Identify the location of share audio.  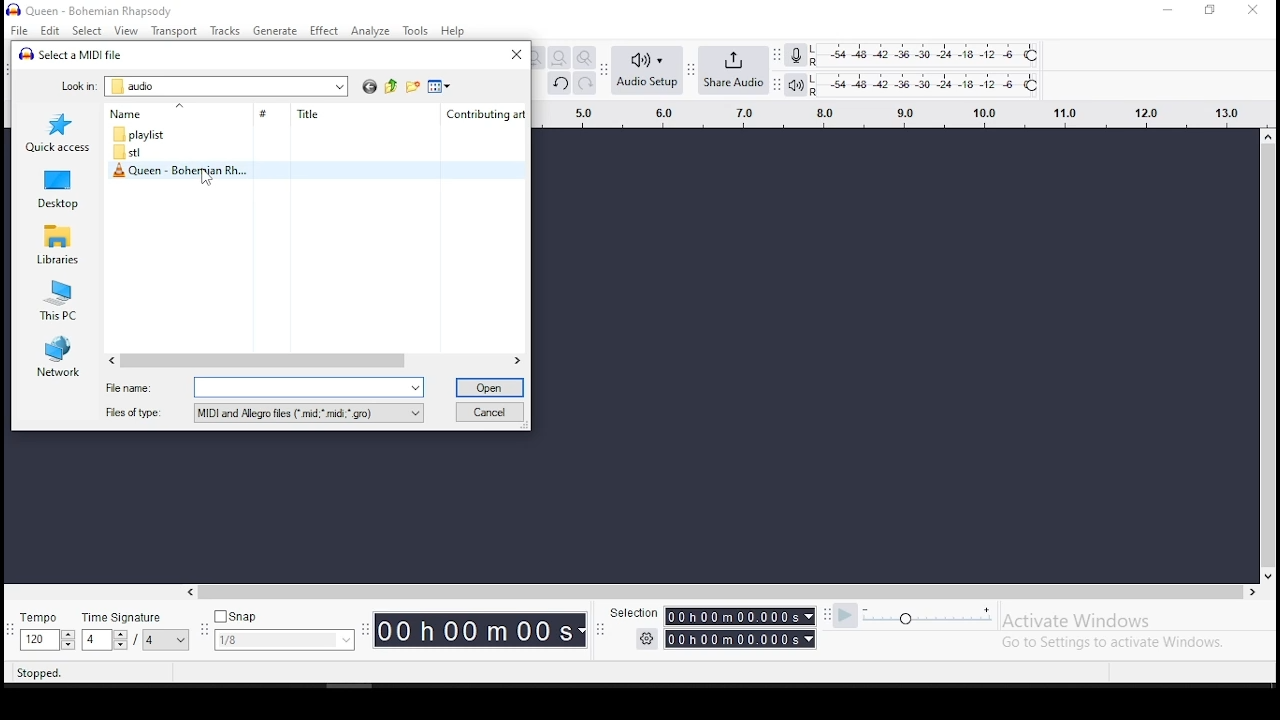
(735, 72).